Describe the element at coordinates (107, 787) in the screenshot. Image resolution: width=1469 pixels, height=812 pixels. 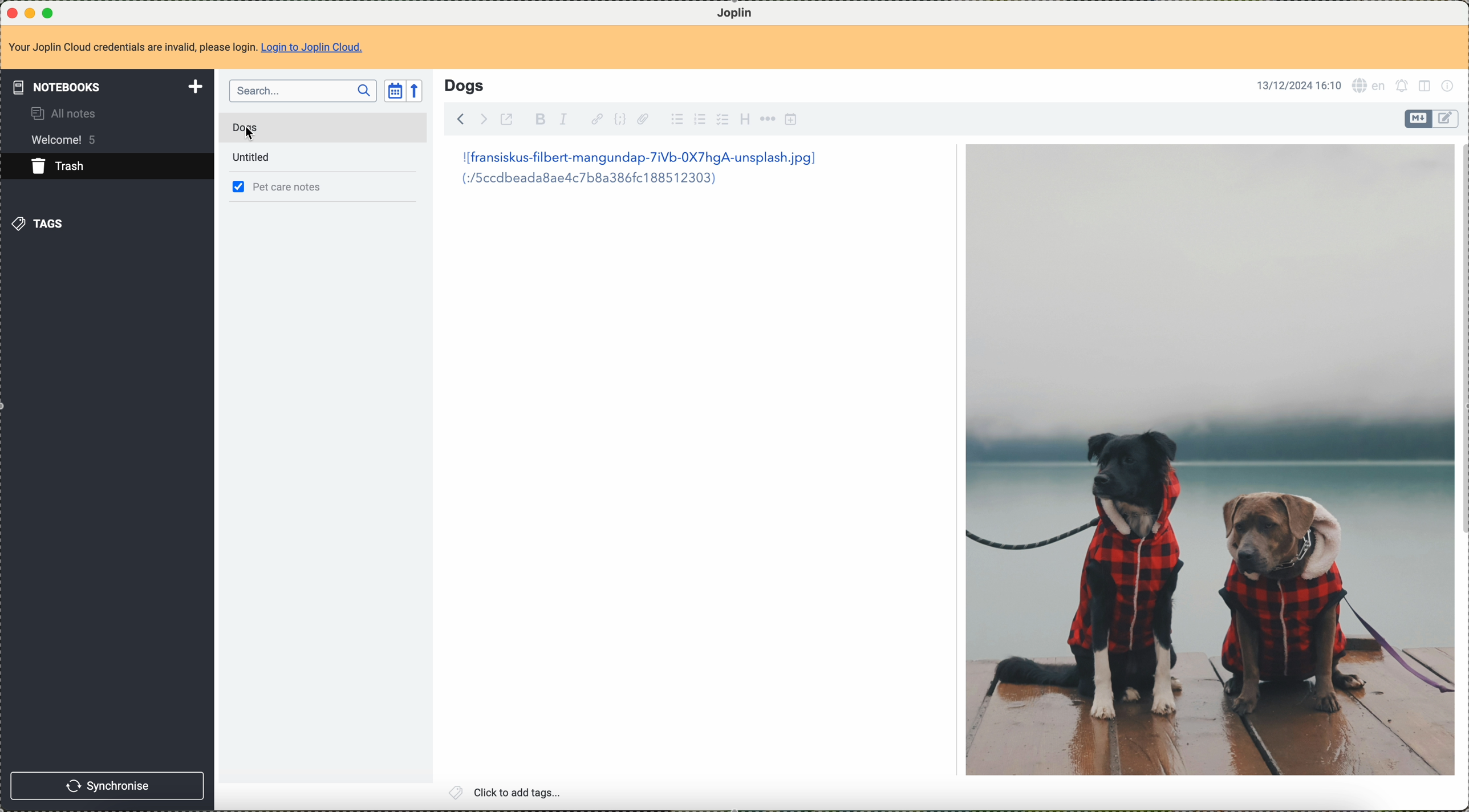
I see `synchronise` at that location.